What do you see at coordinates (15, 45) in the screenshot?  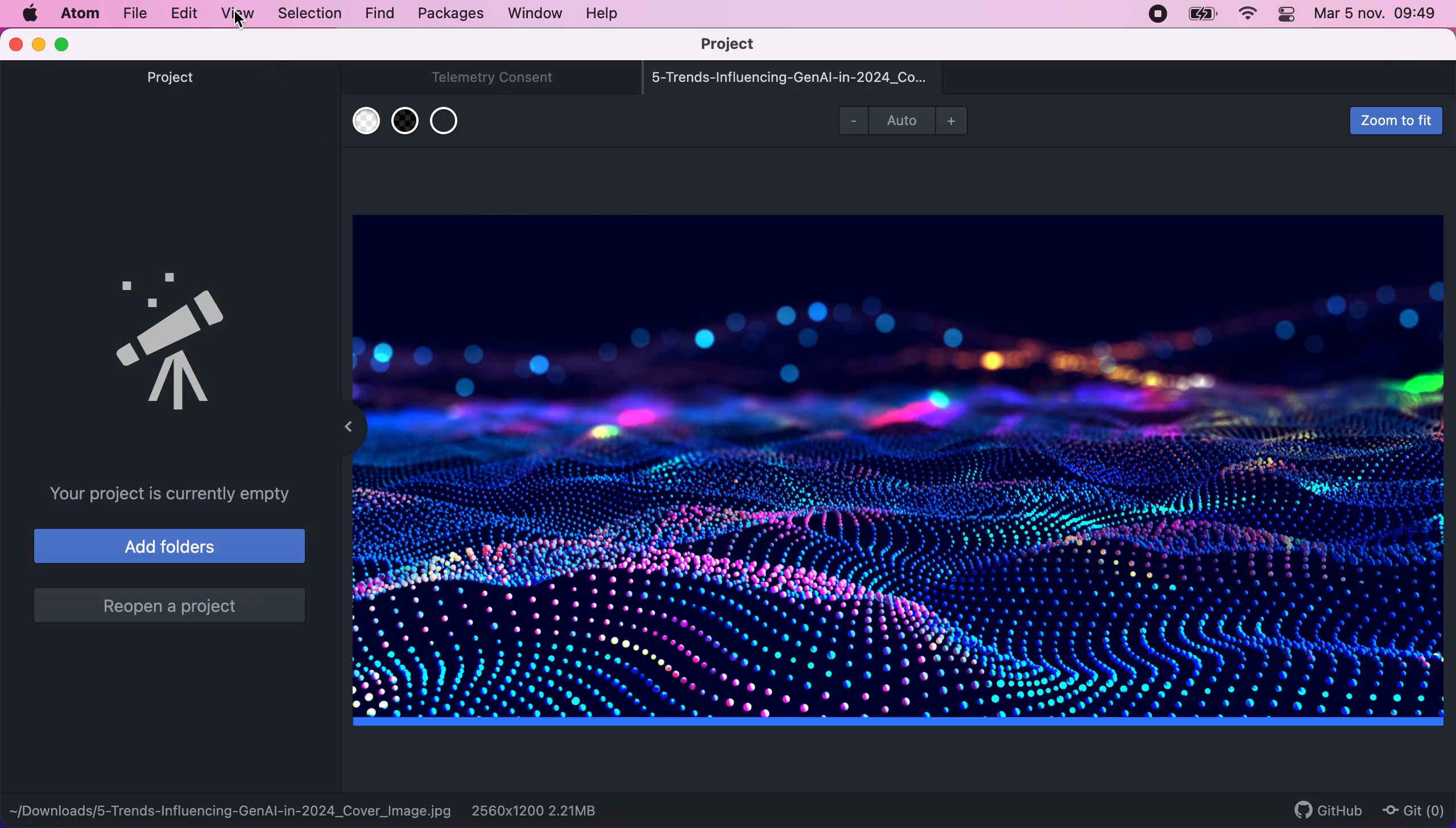 I see `close` at bounding box center [15, 45].